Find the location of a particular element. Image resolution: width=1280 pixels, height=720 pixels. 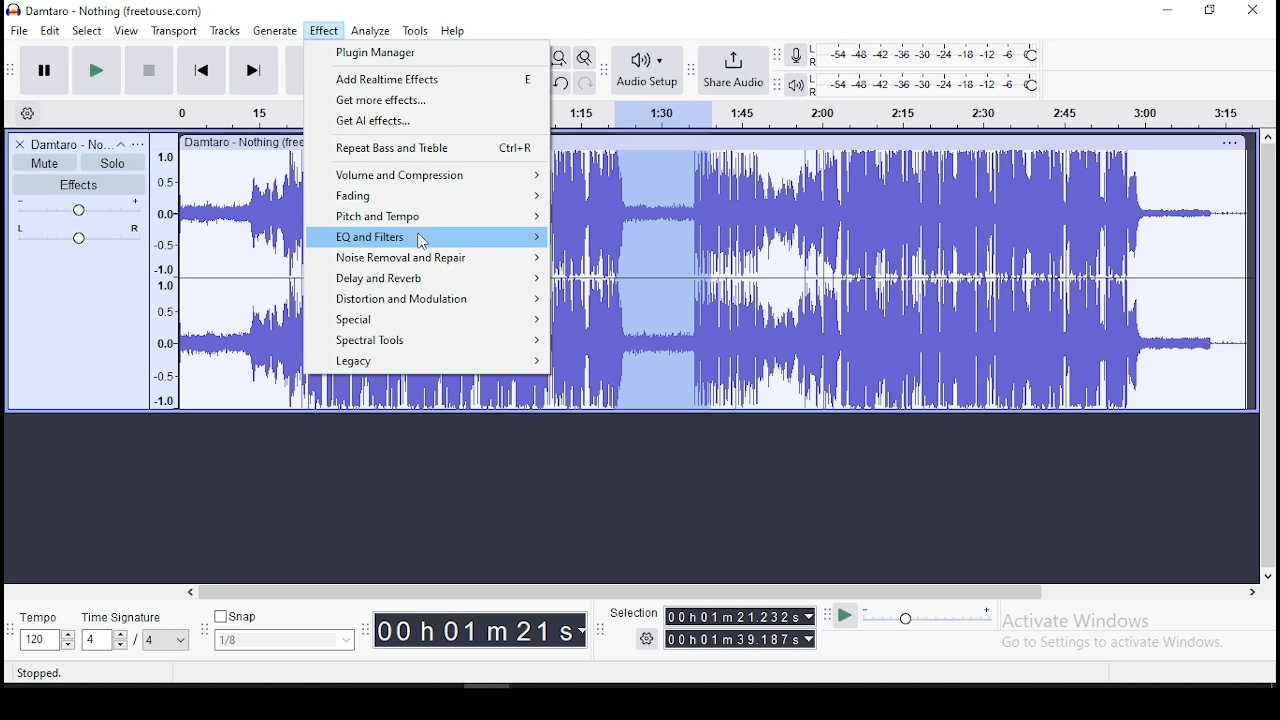

 is located at coordinates (776, 83).